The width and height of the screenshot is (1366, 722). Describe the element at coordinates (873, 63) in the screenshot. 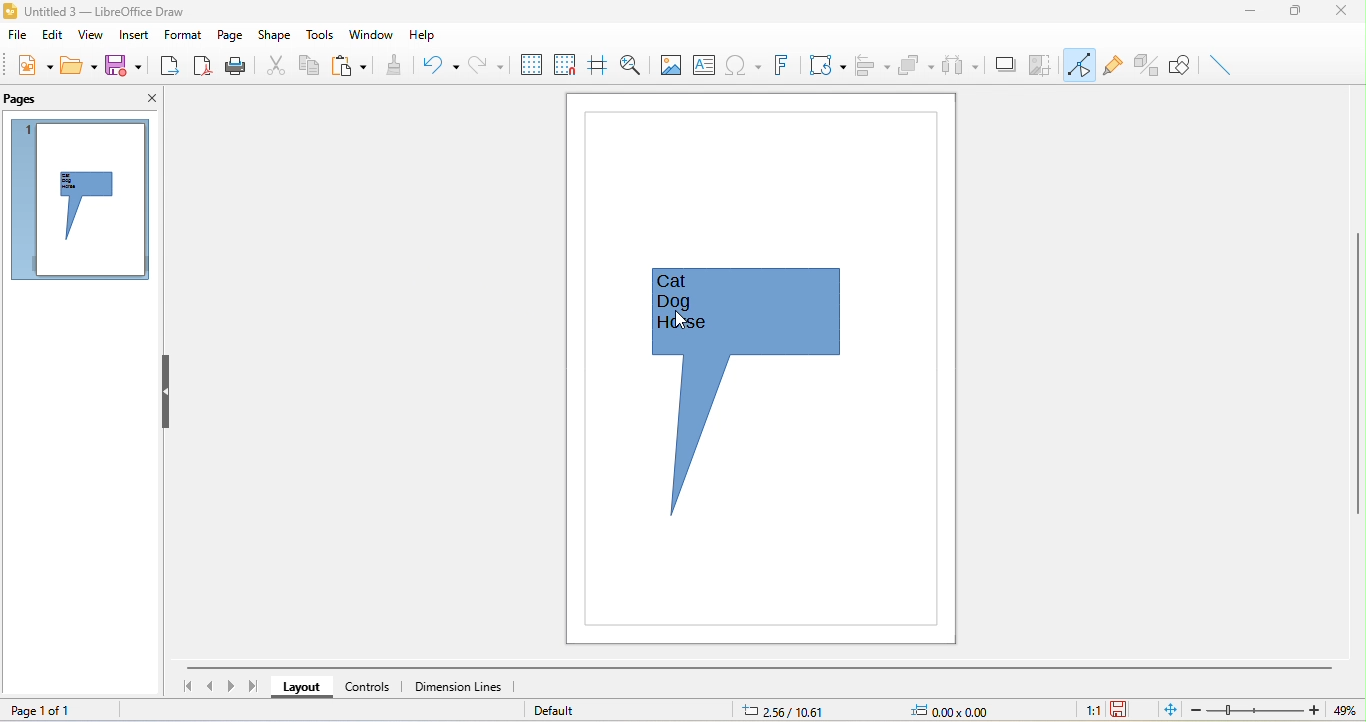

I see `align object` at that location.